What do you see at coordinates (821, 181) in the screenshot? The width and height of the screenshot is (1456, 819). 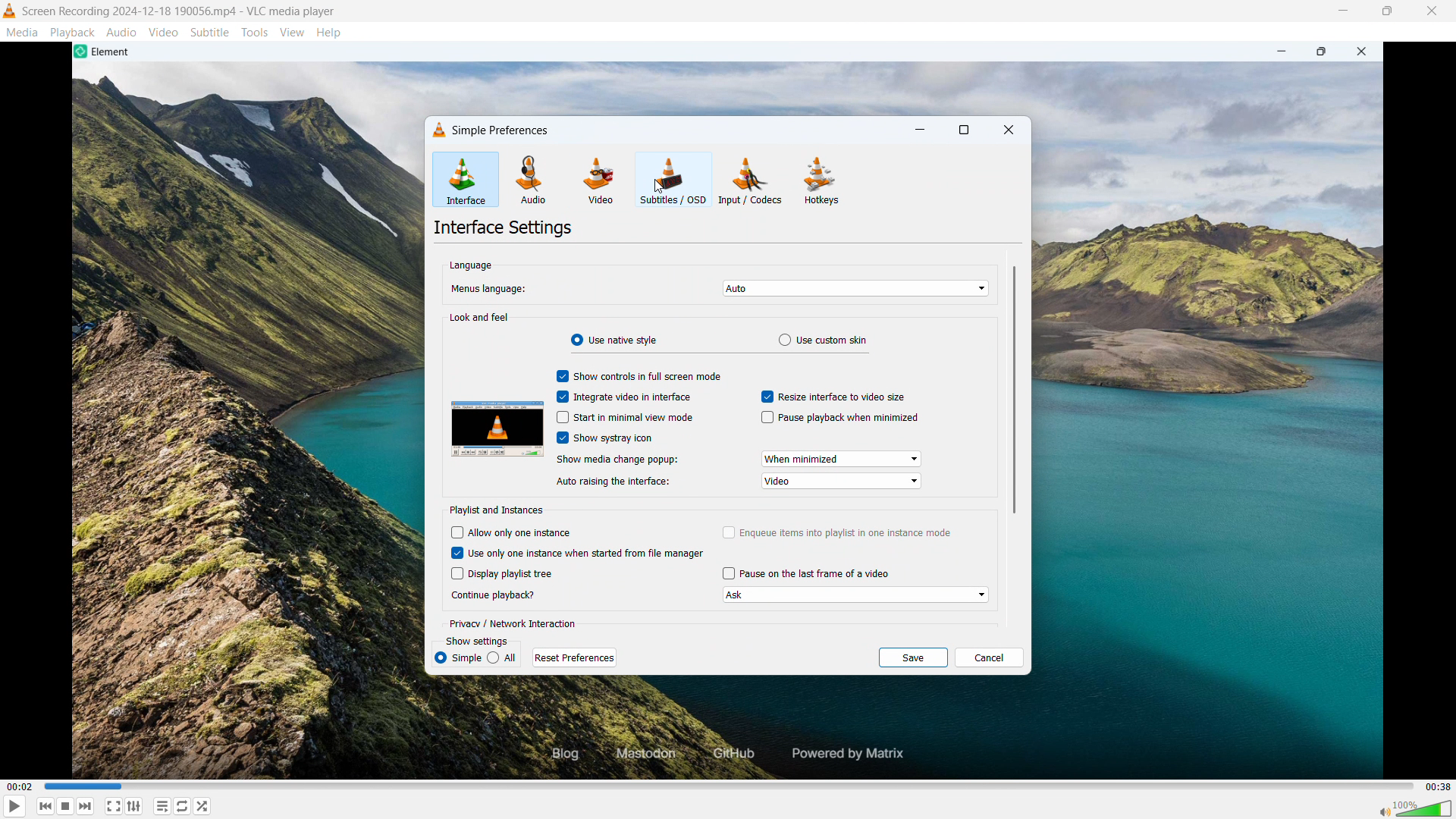 I see `Hot keys ` at bounding box center [821, 181].